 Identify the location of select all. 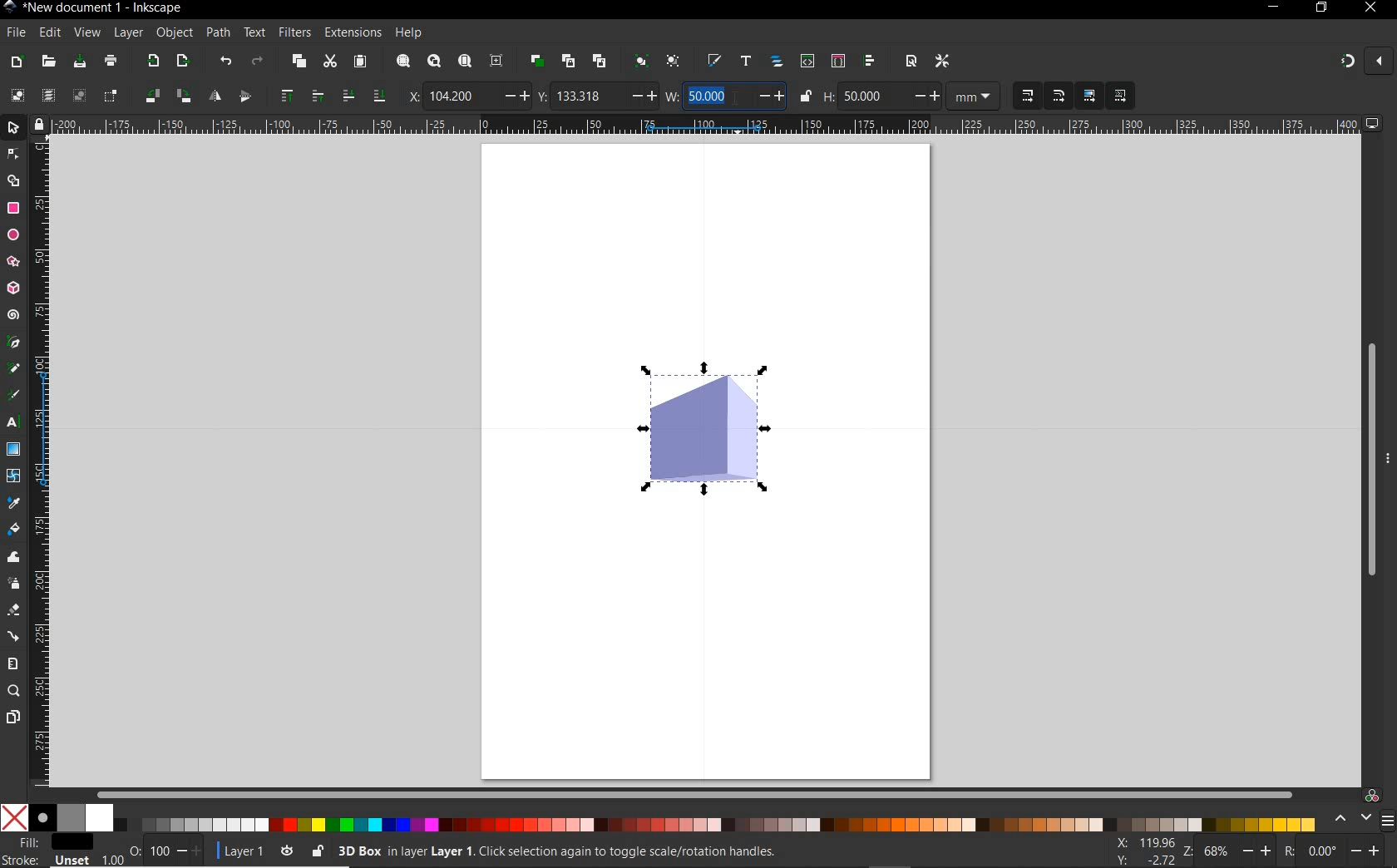
(18, 93).